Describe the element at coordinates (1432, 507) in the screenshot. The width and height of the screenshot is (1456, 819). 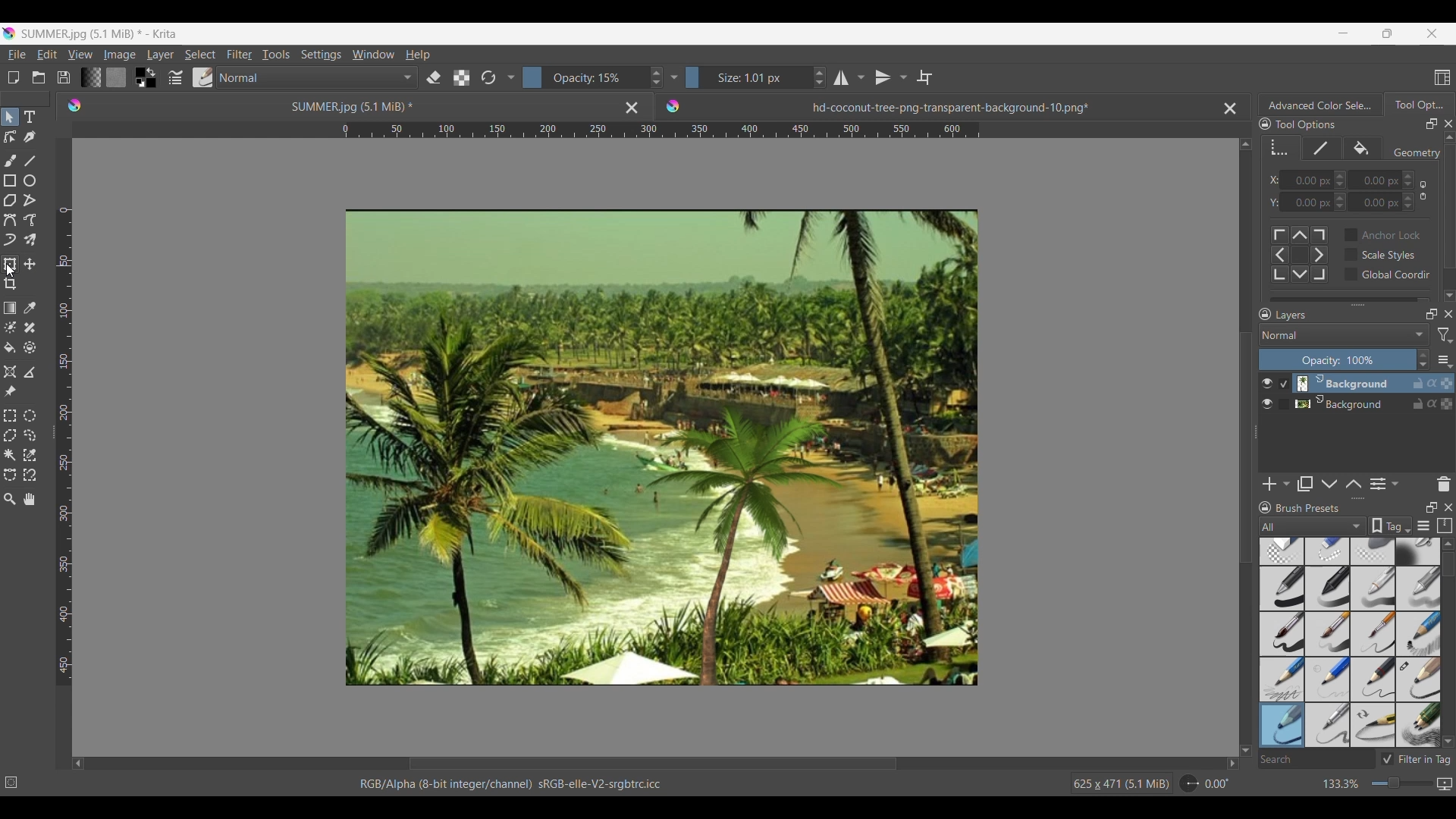
I see `Float Brush Presets panel` at that location.